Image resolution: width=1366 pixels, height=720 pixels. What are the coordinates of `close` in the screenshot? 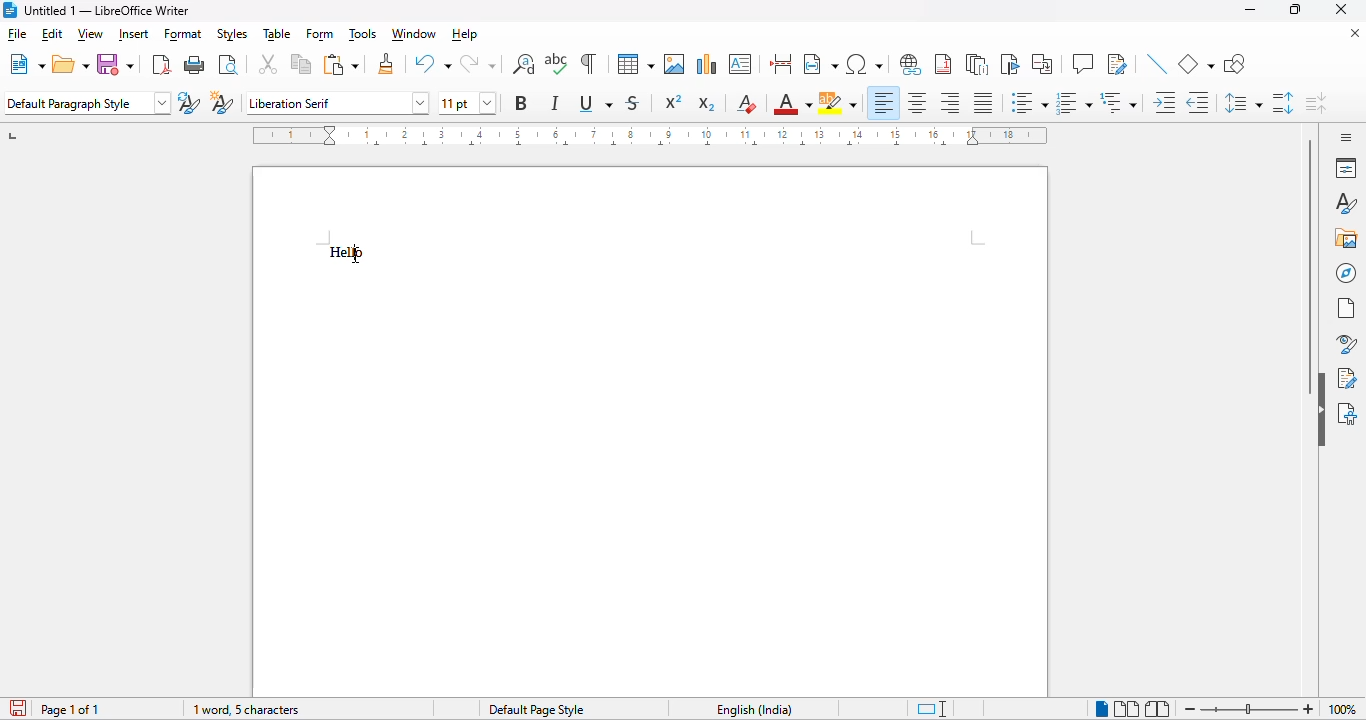 It's located at (1341, 9).